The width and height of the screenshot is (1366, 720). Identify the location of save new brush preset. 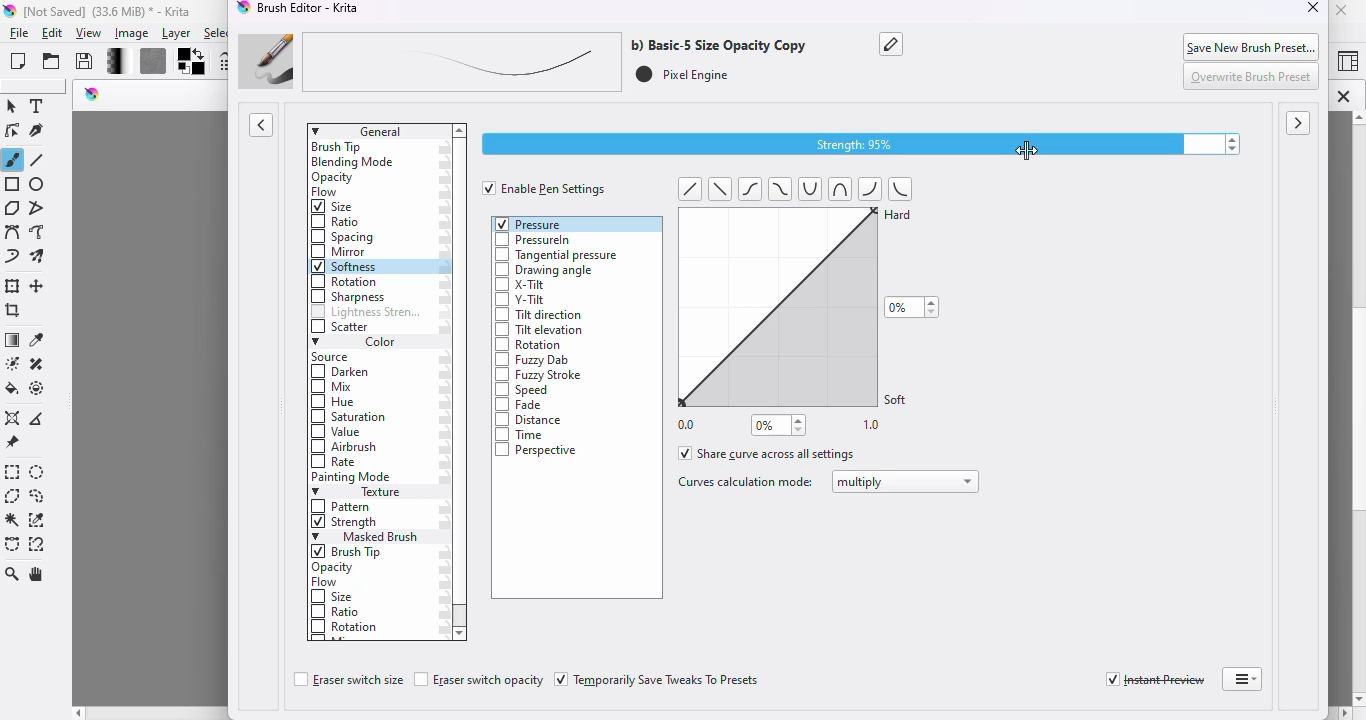
(1252, 46).